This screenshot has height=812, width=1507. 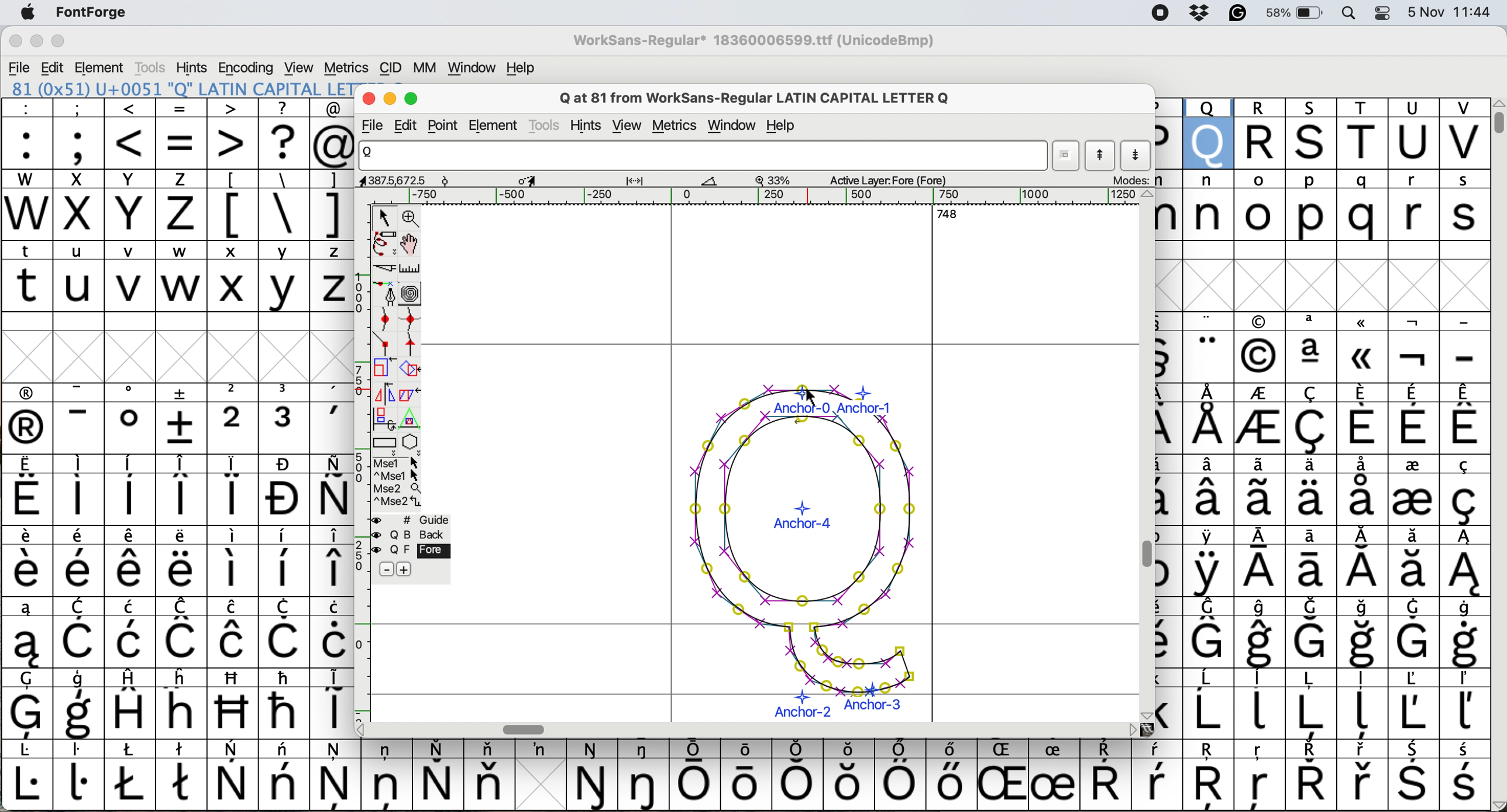 I want to click on window, so click(x=731, y=126).